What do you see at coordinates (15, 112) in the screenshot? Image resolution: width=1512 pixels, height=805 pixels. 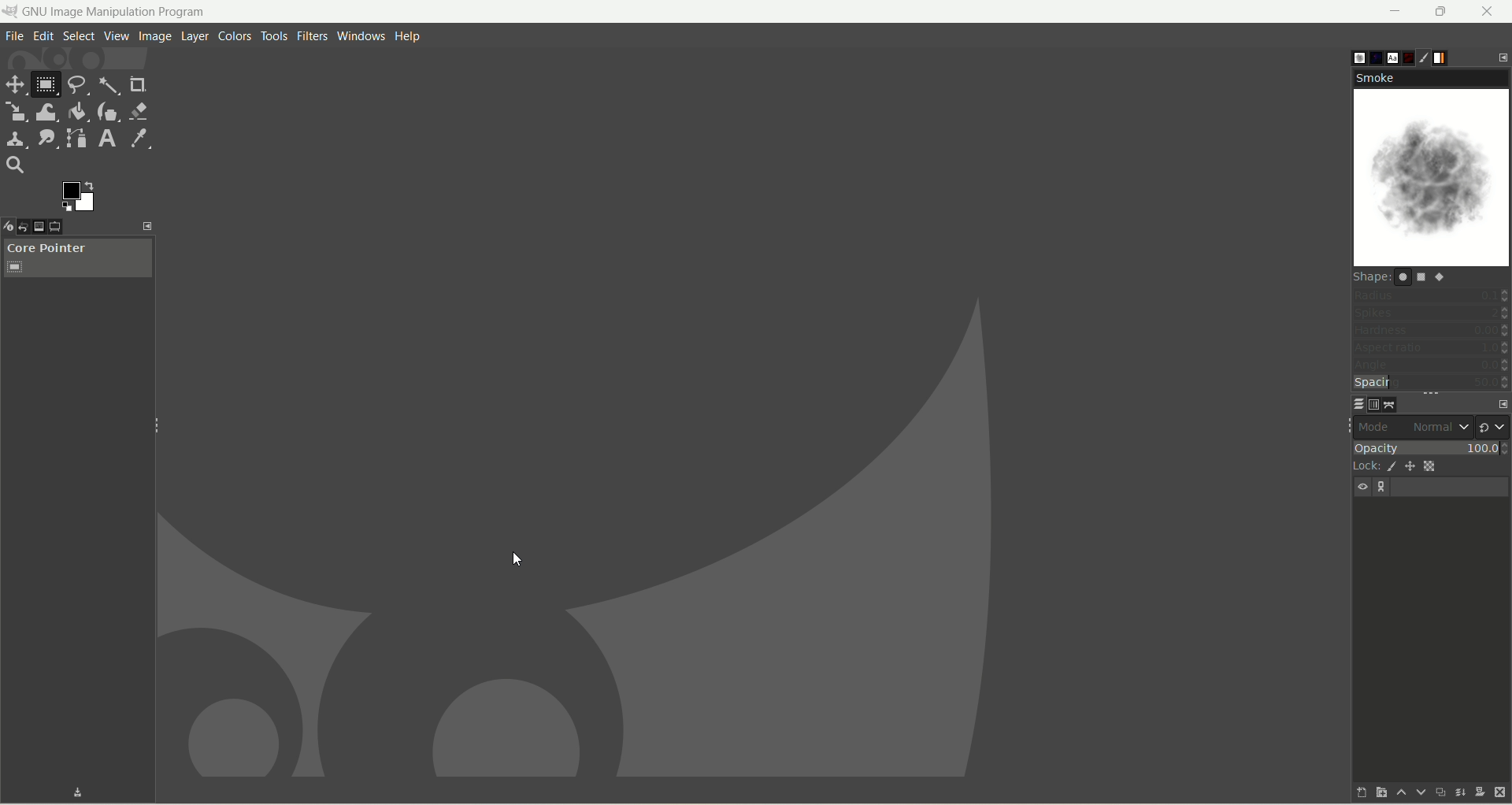 I see `scale` at bounding box center [15, 112].